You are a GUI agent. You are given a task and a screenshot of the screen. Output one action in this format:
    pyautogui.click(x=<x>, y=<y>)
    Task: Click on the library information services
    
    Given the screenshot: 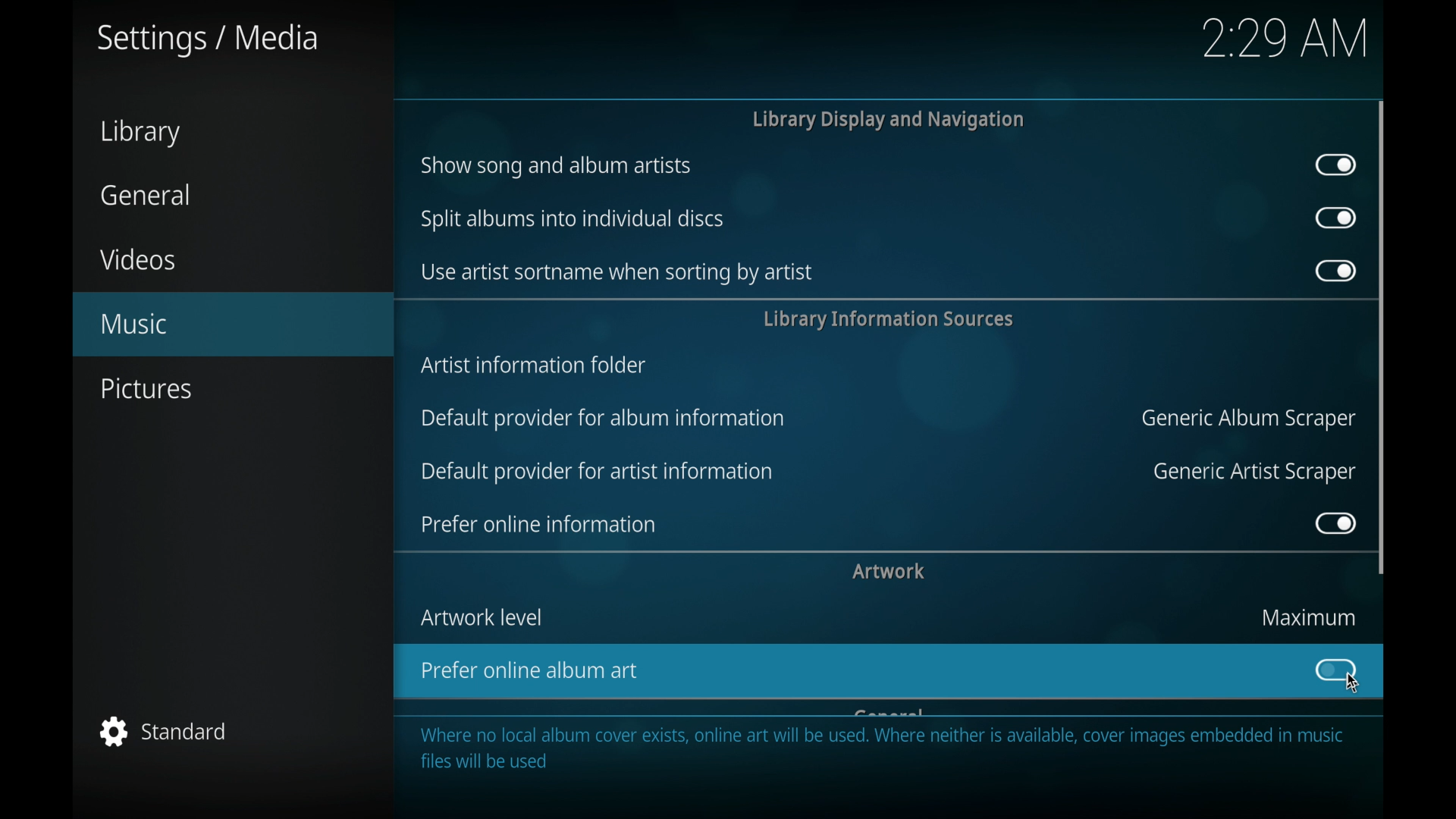 What is the action you would take?
    pyautogui.click(x=887, y=319)
    